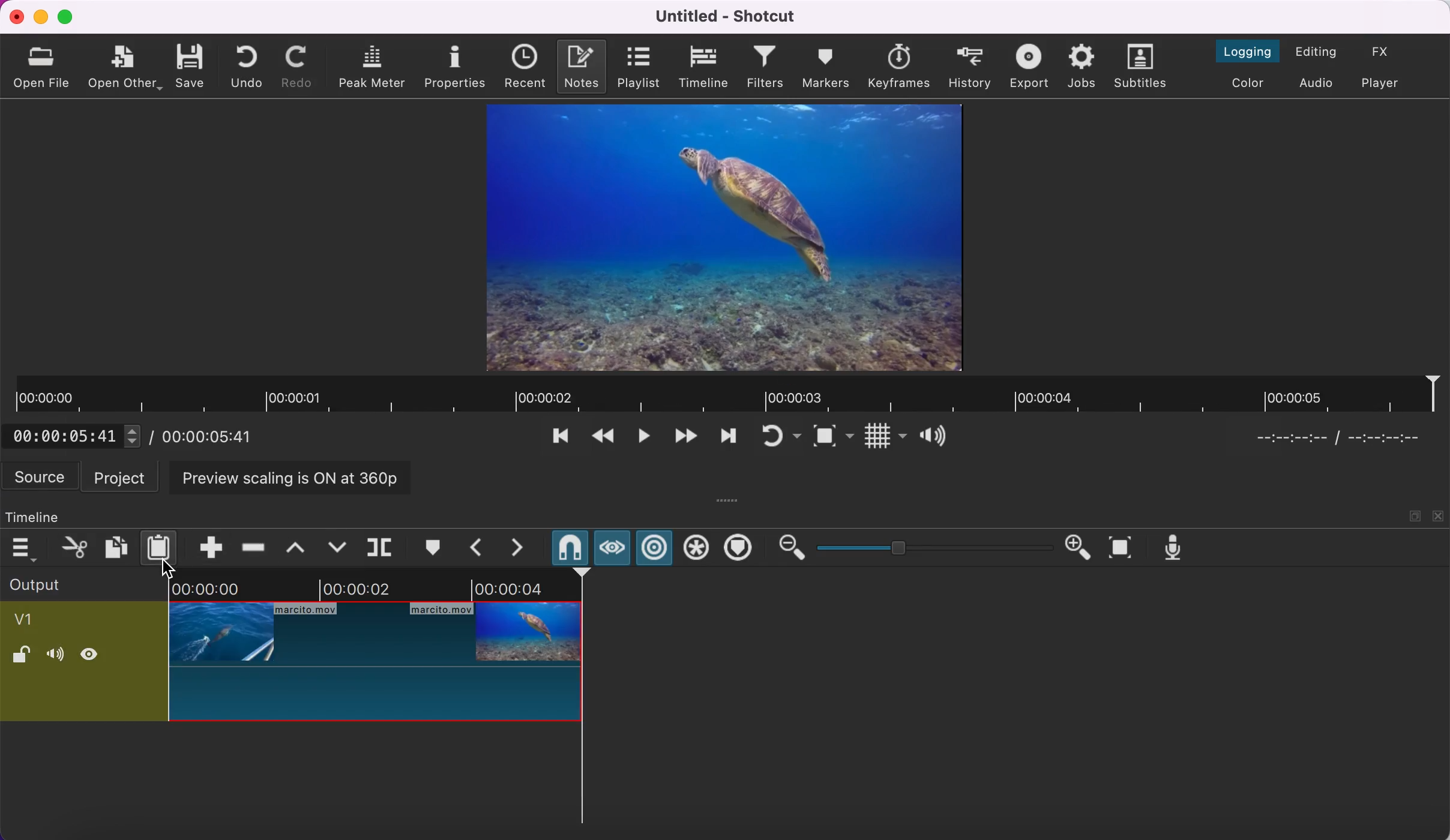 This screenshot has height=840, width=1450. What do you see at coordinates (1386, 85) in the screenshot?
I see `switch to player only layout` at bounding box center [1386, 85].